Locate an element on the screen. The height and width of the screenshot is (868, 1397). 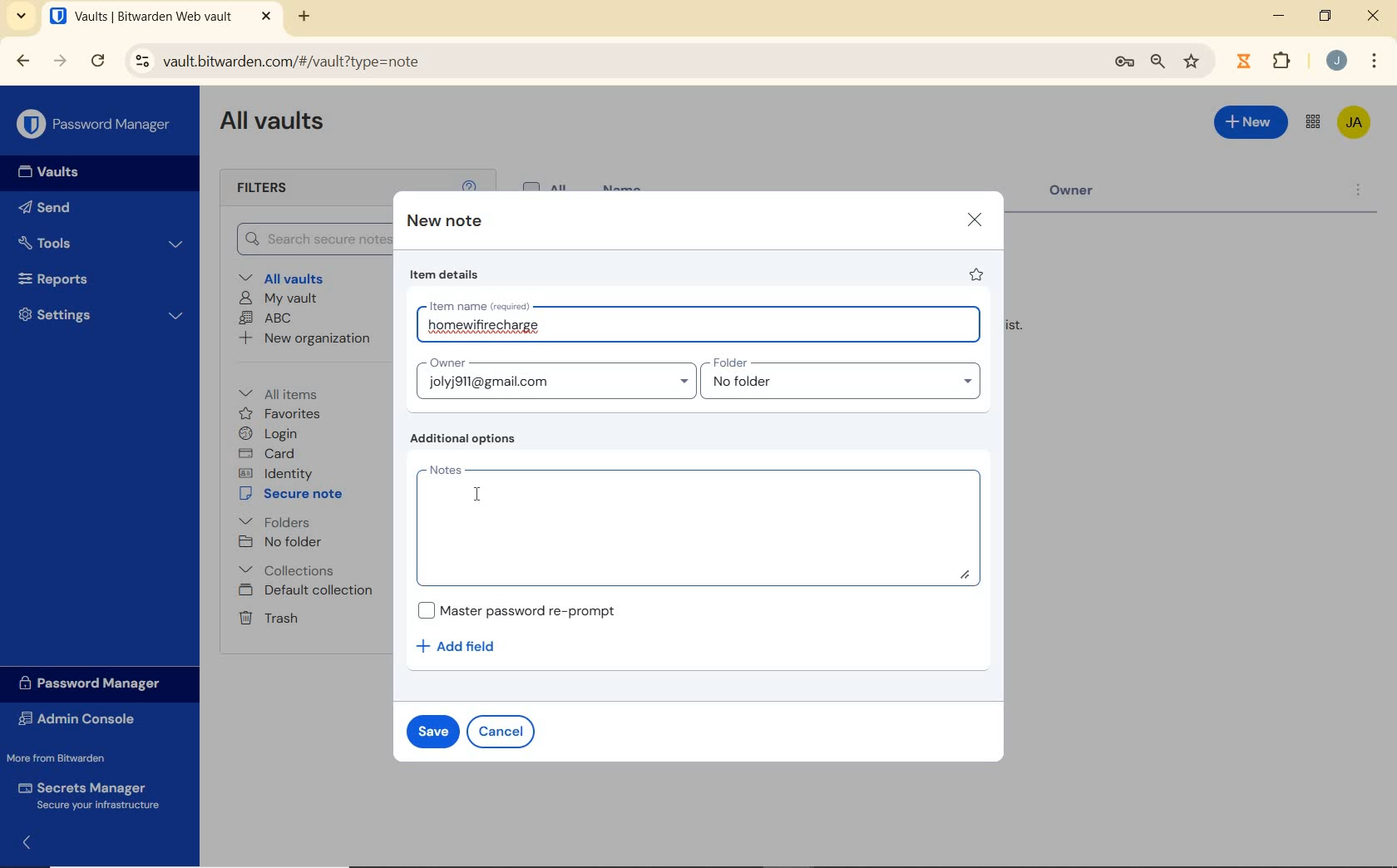
Settings is located at coordinates (99, 314).